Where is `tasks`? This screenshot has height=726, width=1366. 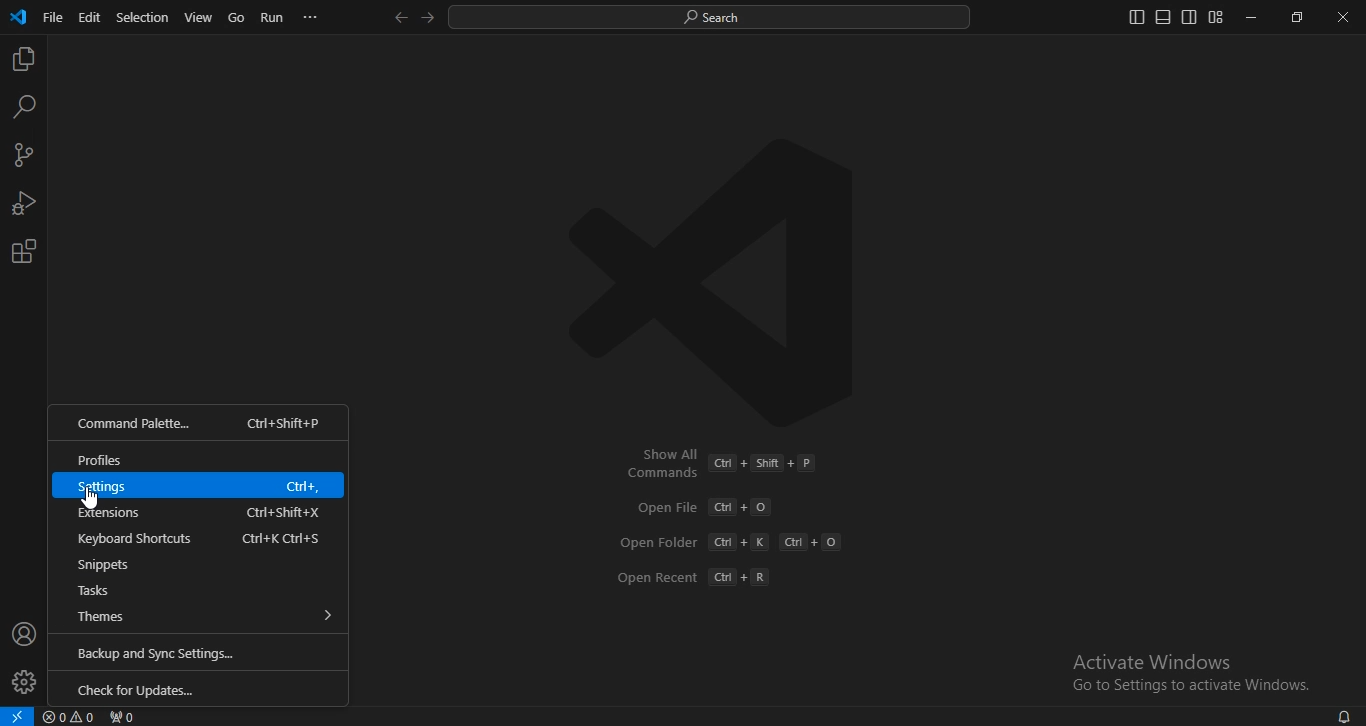
tasks is located at coordinates (193, 591).